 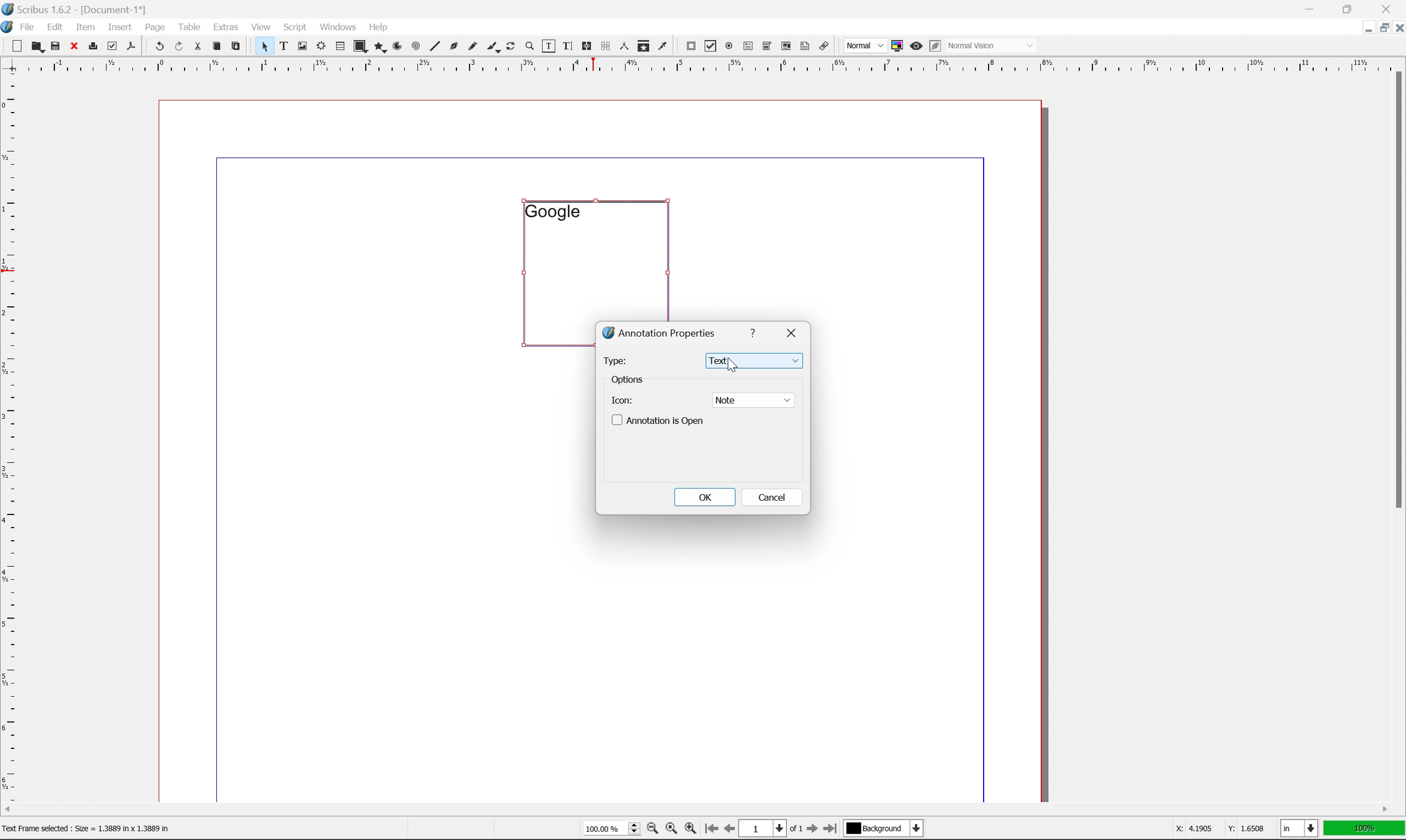 What do you see at coordinates (935, 46) in the screenshot?
I see `edit in preview mode` at bounding box center [935, 46].